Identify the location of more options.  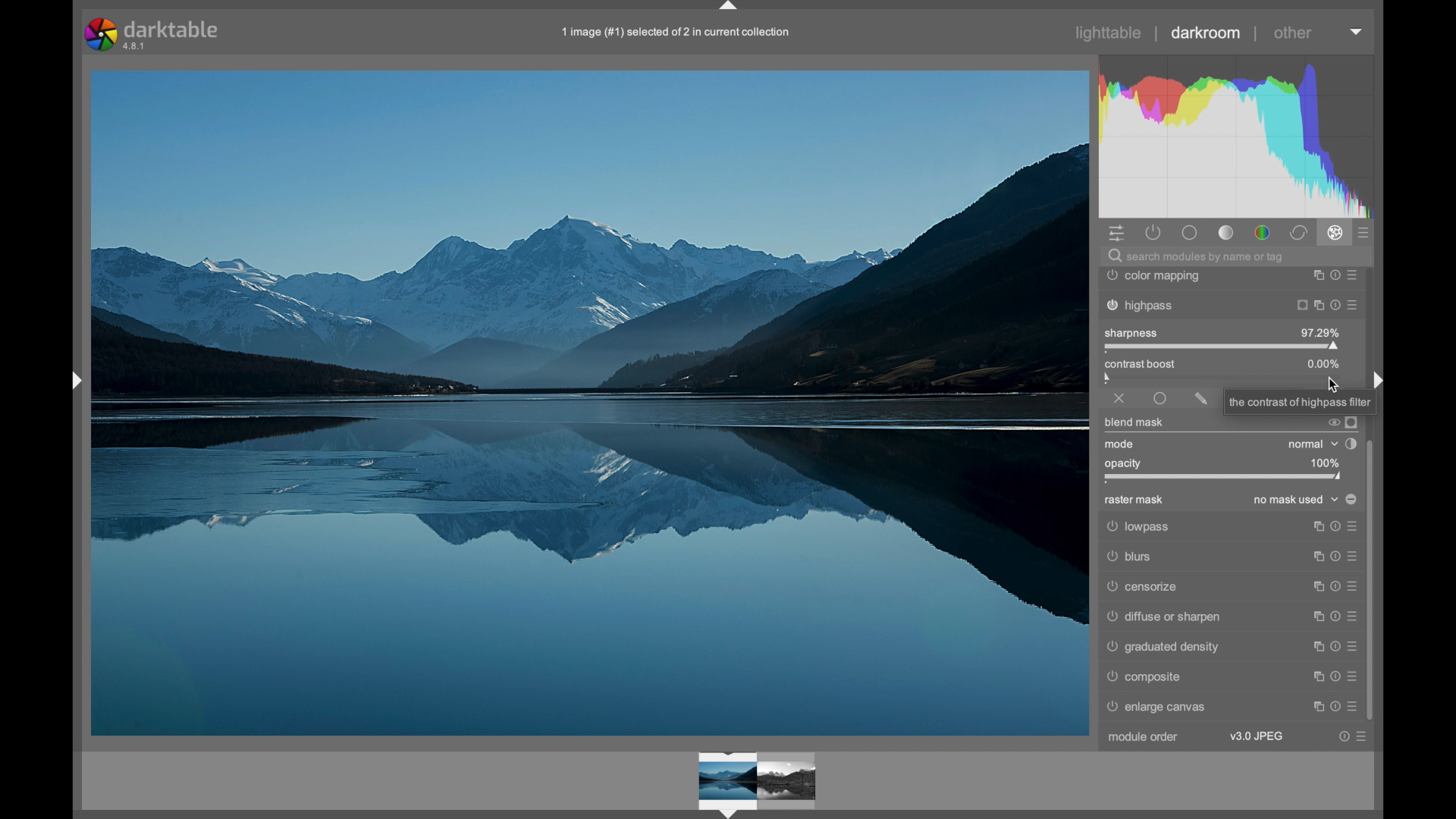
(1351, 737).